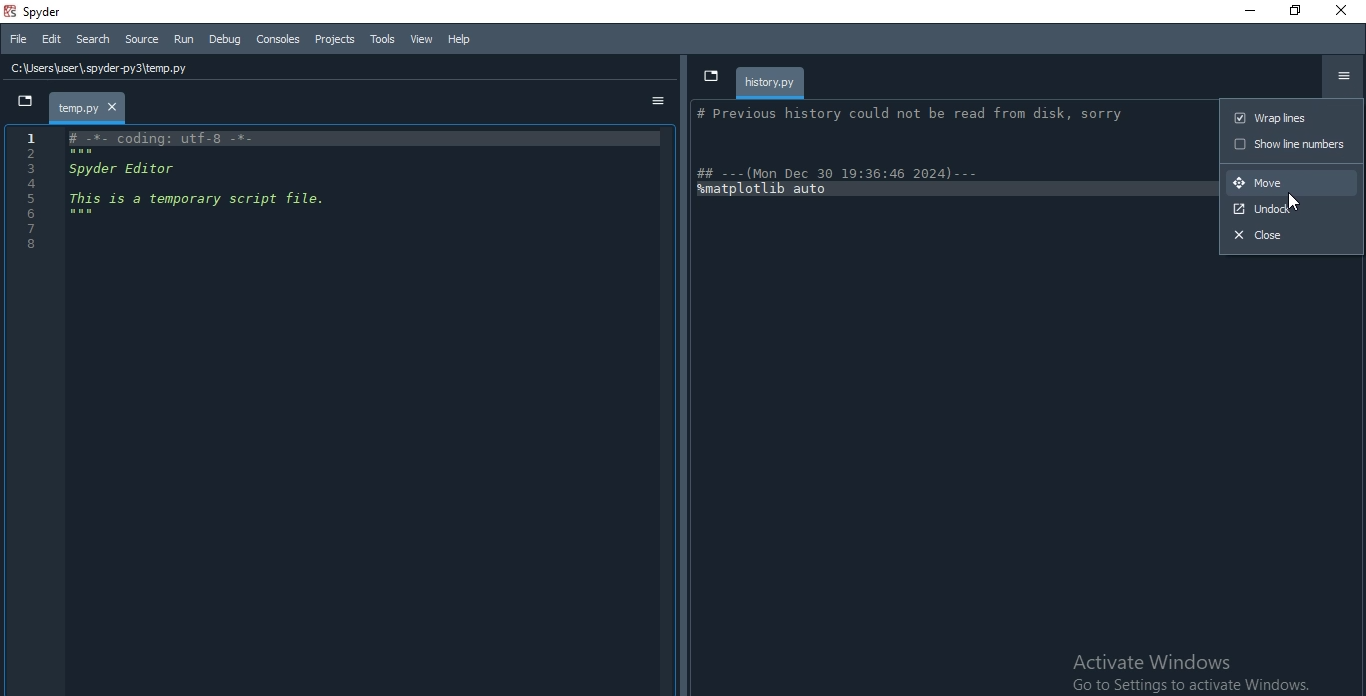  Describe the element at coordinates (22, 101) in the screenshot. I see `dropdown` at that location.